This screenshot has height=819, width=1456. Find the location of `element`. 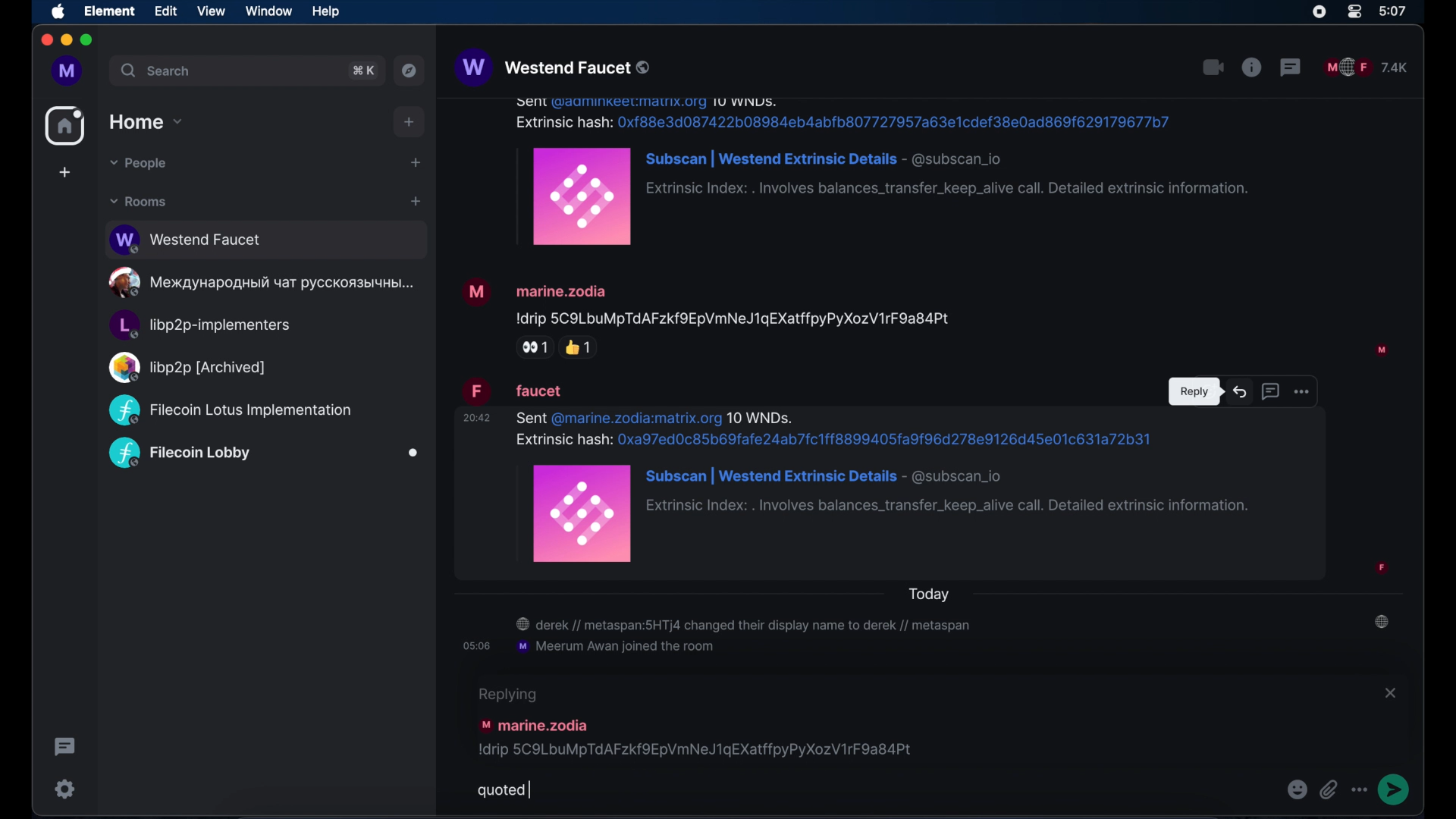

element is located at coordinates (111, 11).